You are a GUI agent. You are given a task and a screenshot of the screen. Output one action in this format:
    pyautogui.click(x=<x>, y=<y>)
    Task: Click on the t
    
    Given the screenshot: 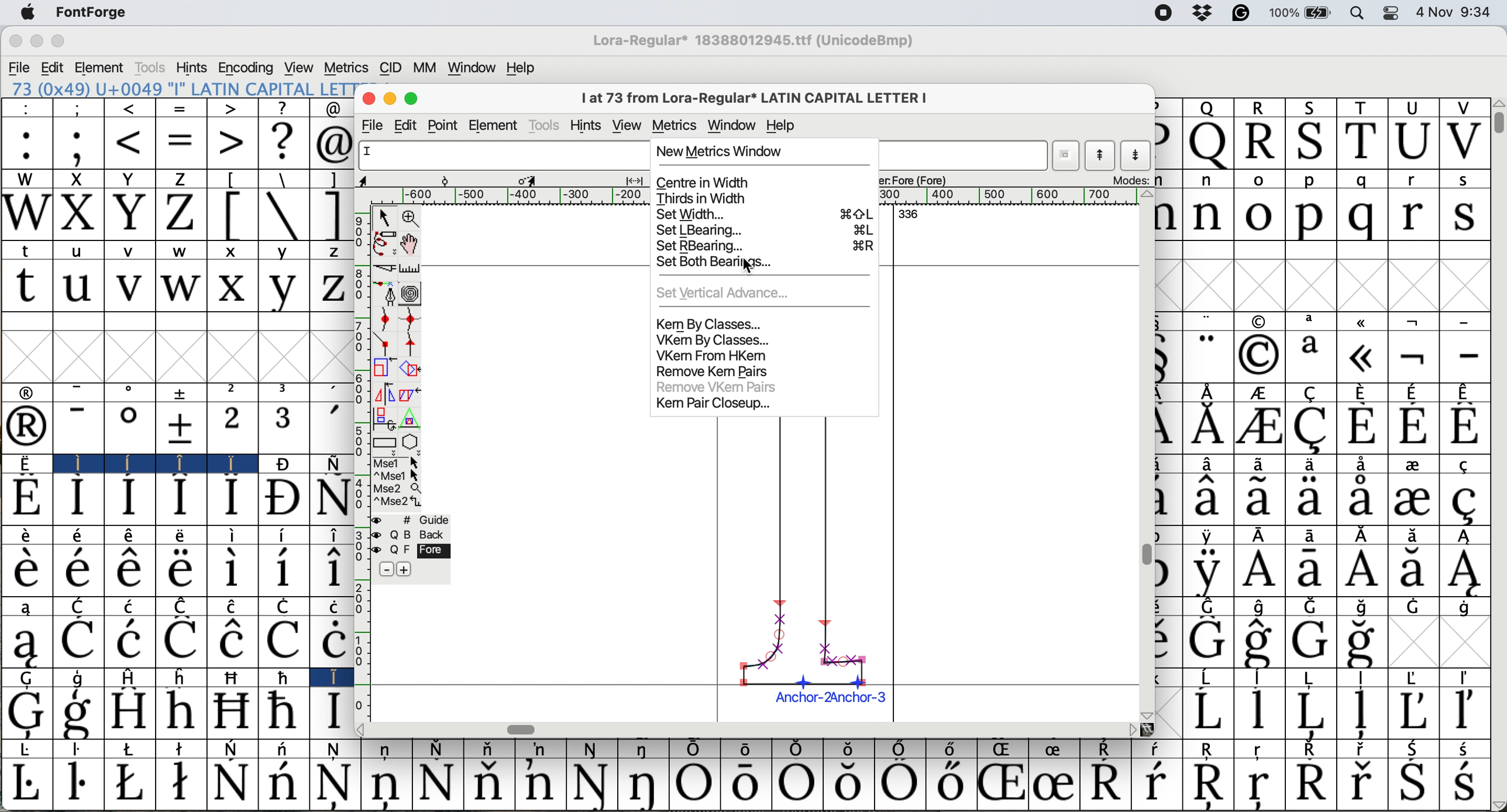 What is the action you would take?
    pyautogui.click(x=29, y=249)
    